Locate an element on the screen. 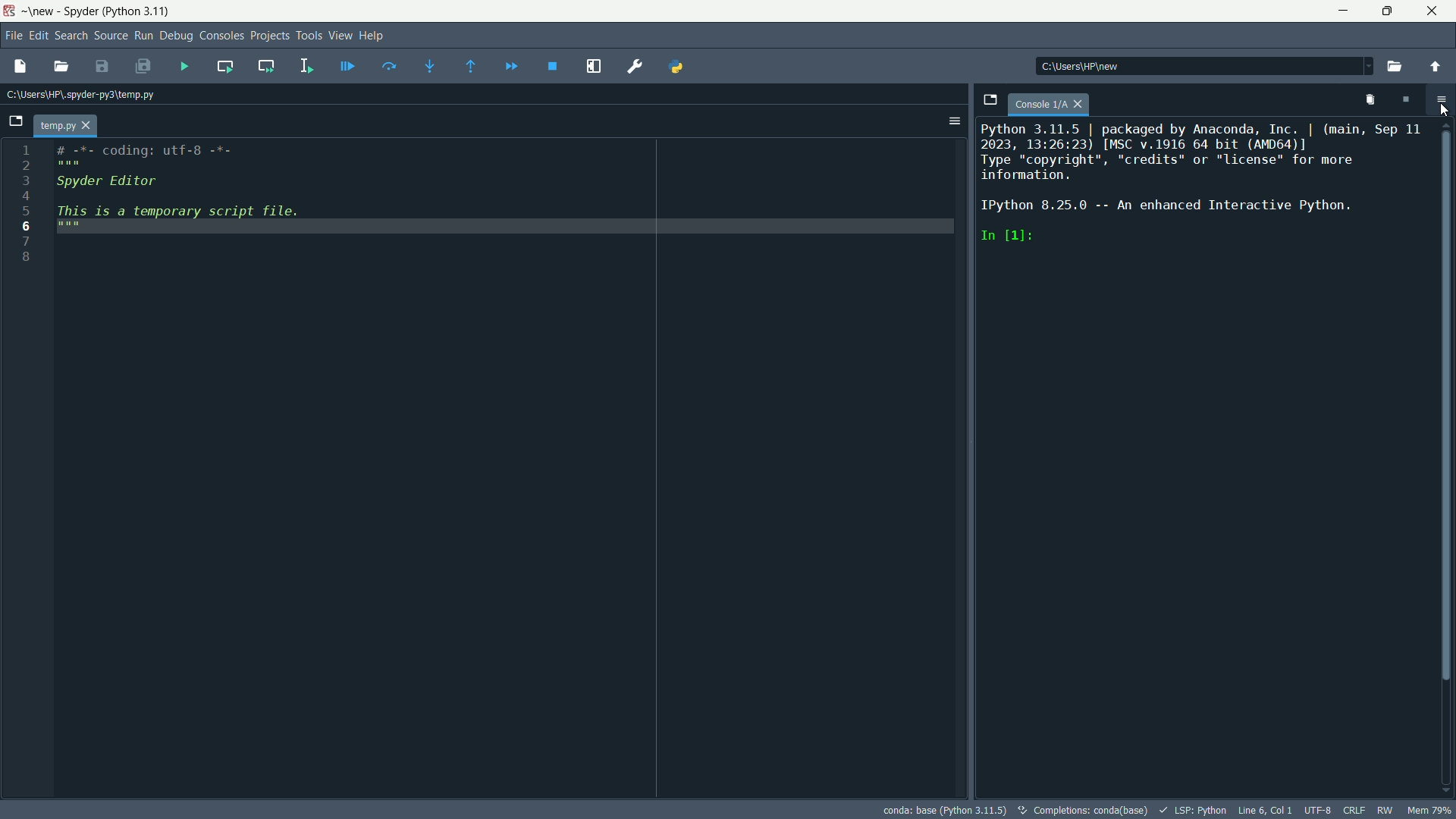 The height and width of the screenshot is (819, 1456). step into funtion or method is located at coordinates (430, 66).